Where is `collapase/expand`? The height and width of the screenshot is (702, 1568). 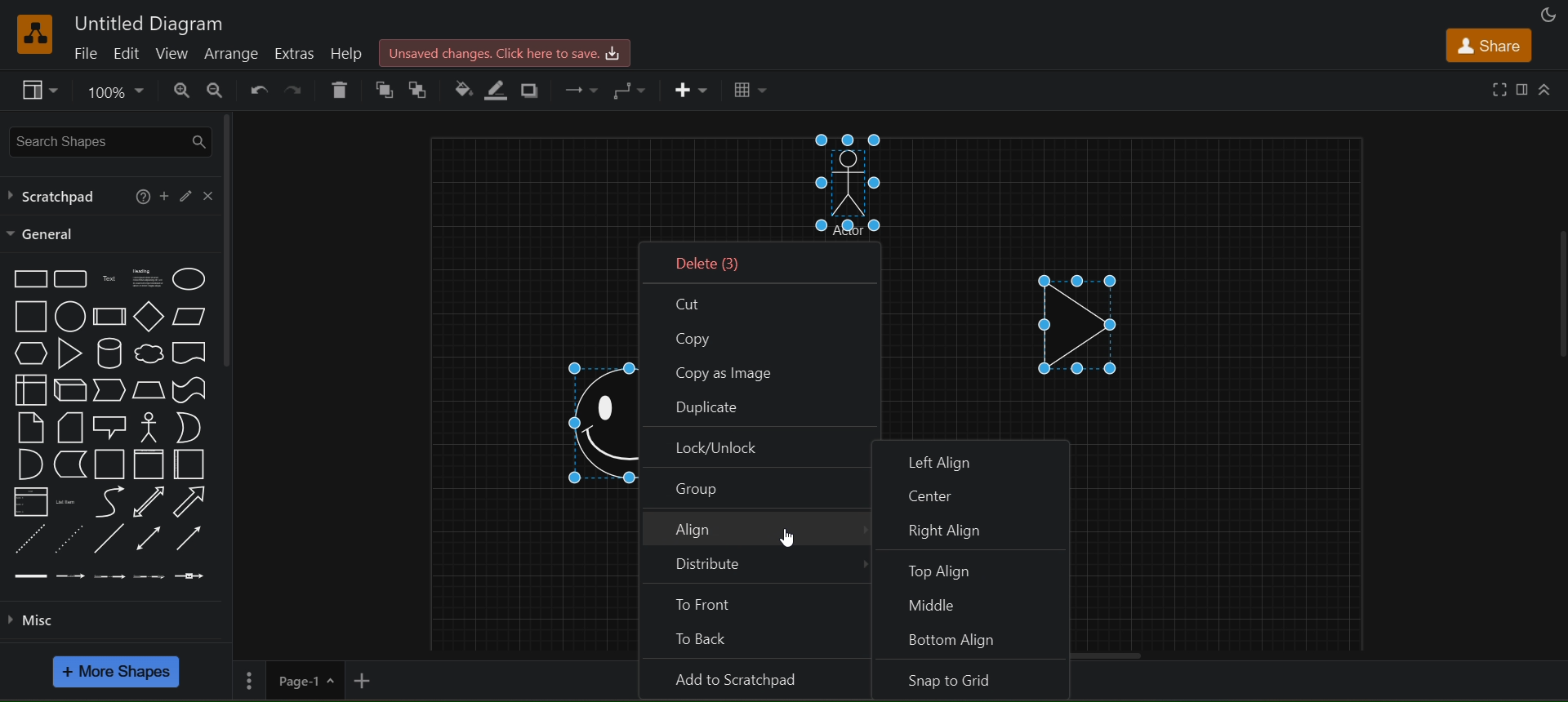
collapase/expand is located at coordinates (1547, 91).